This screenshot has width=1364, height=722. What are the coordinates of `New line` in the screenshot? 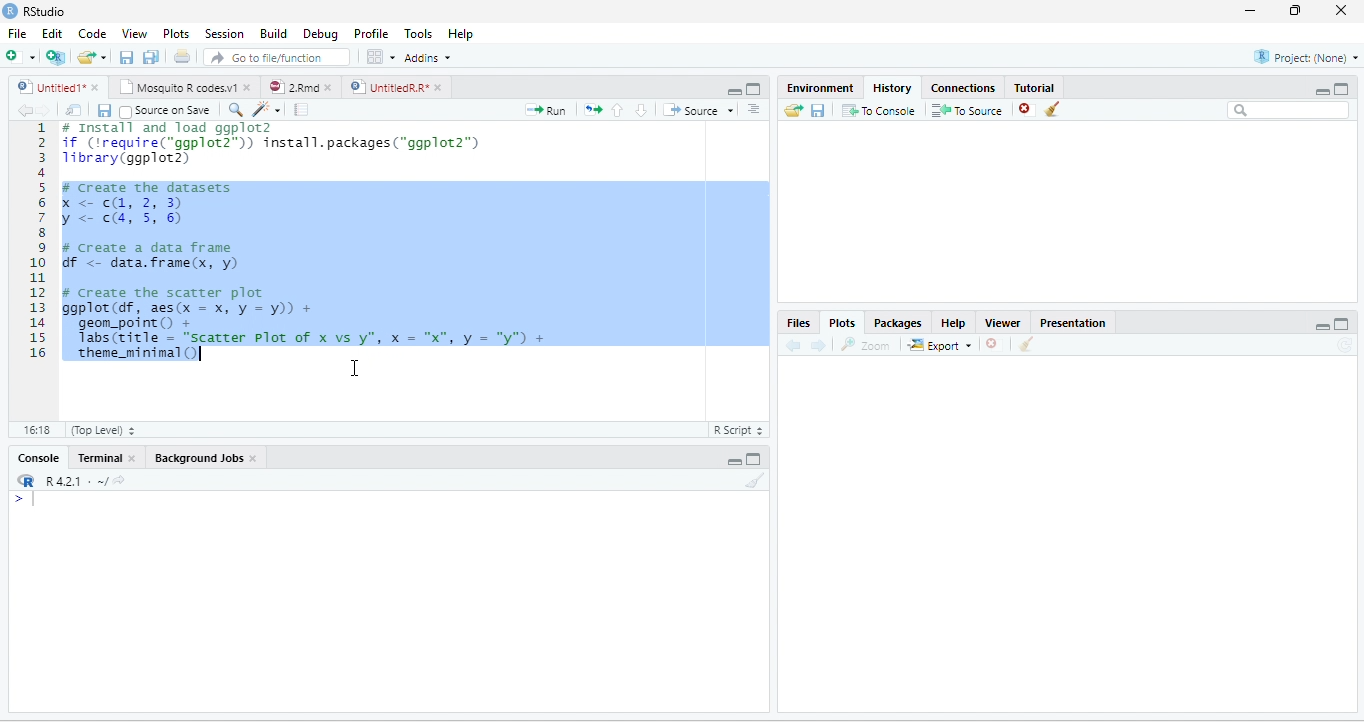 It's located at (25, 498).